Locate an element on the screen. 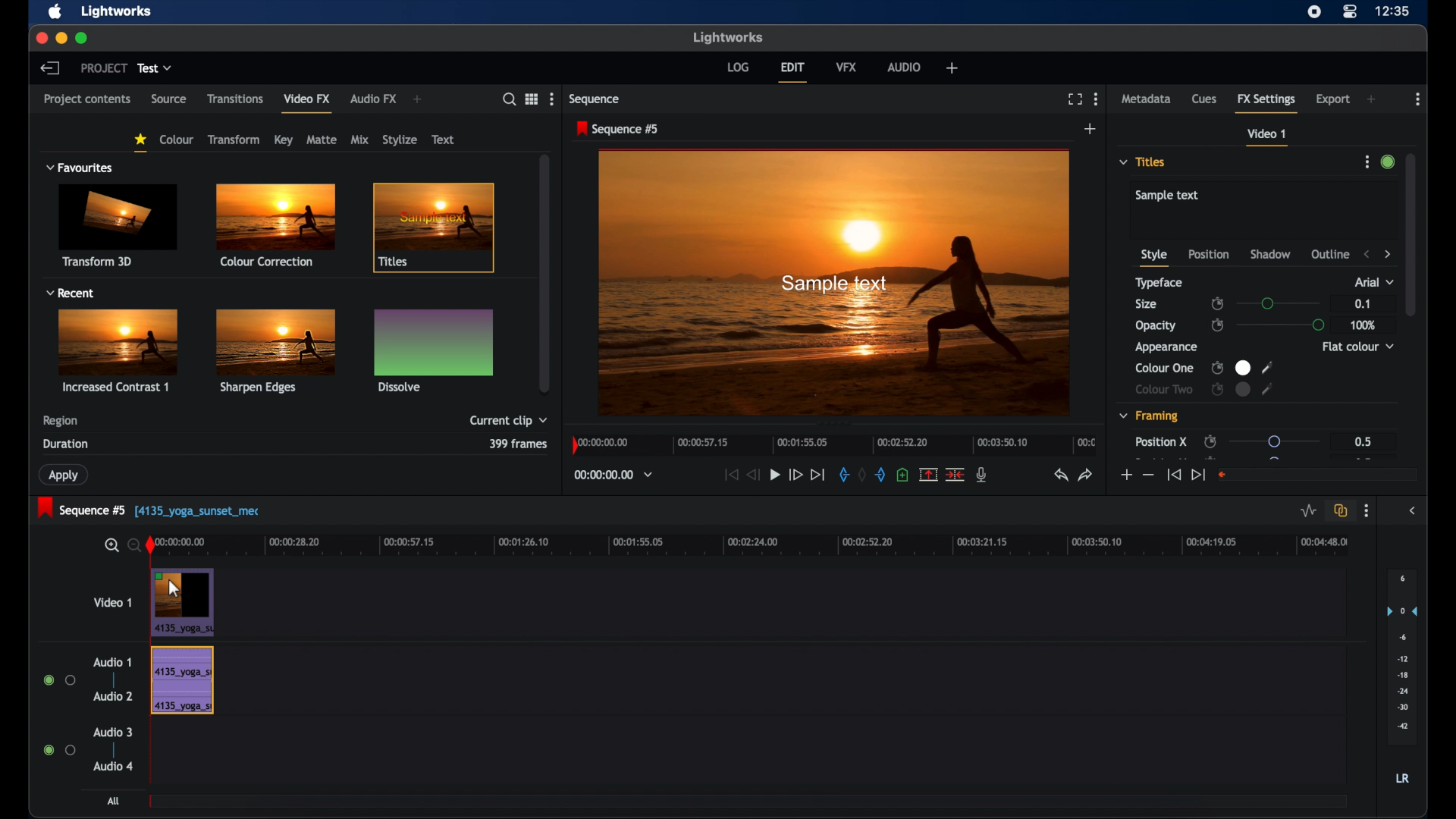 This screenshot has height=819, width=1456. flat color dropdown is located at coordinates (1357, 347).